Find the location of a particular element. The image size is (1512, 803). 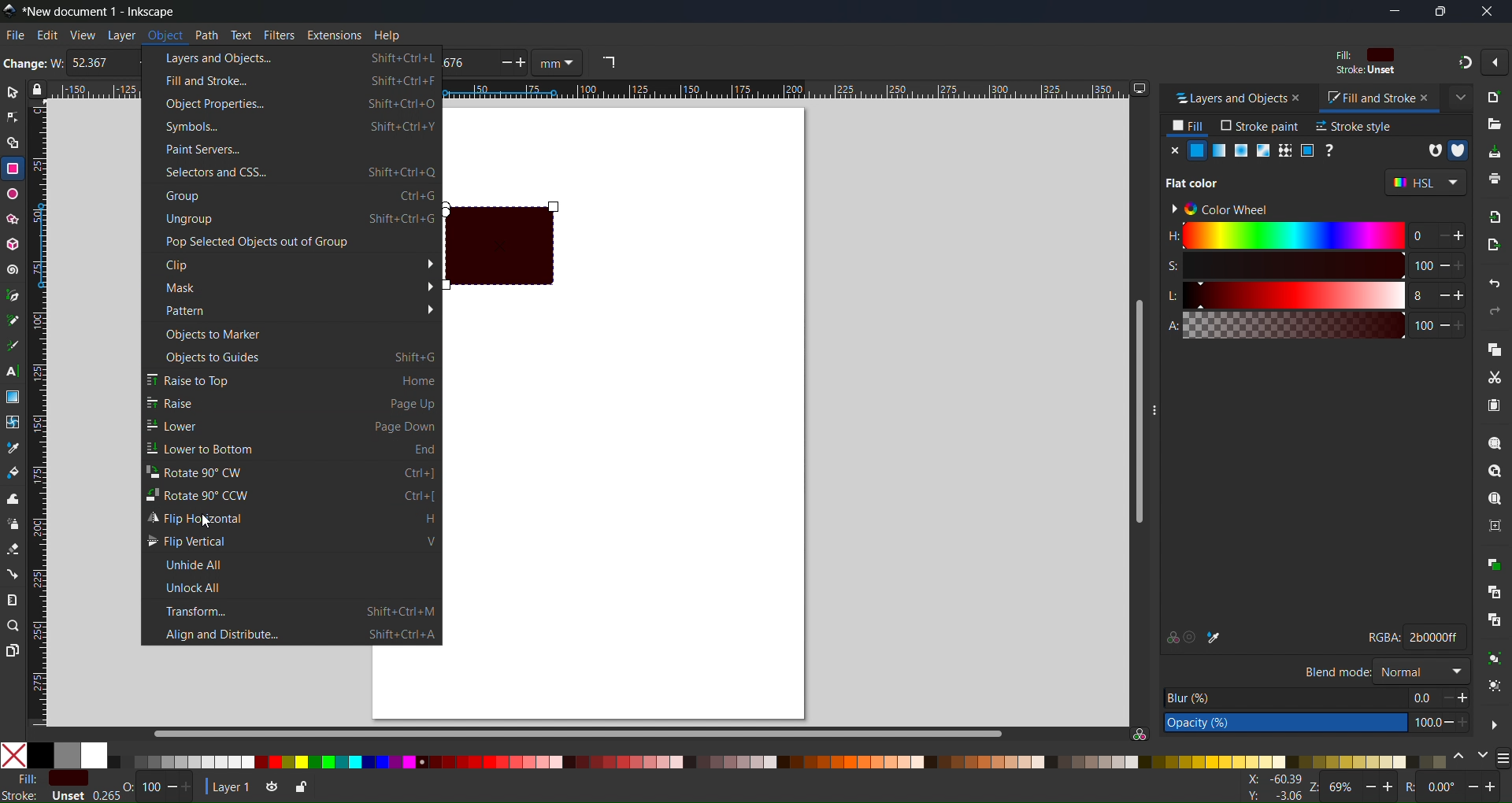

fill is located at coordinates (20, 778).